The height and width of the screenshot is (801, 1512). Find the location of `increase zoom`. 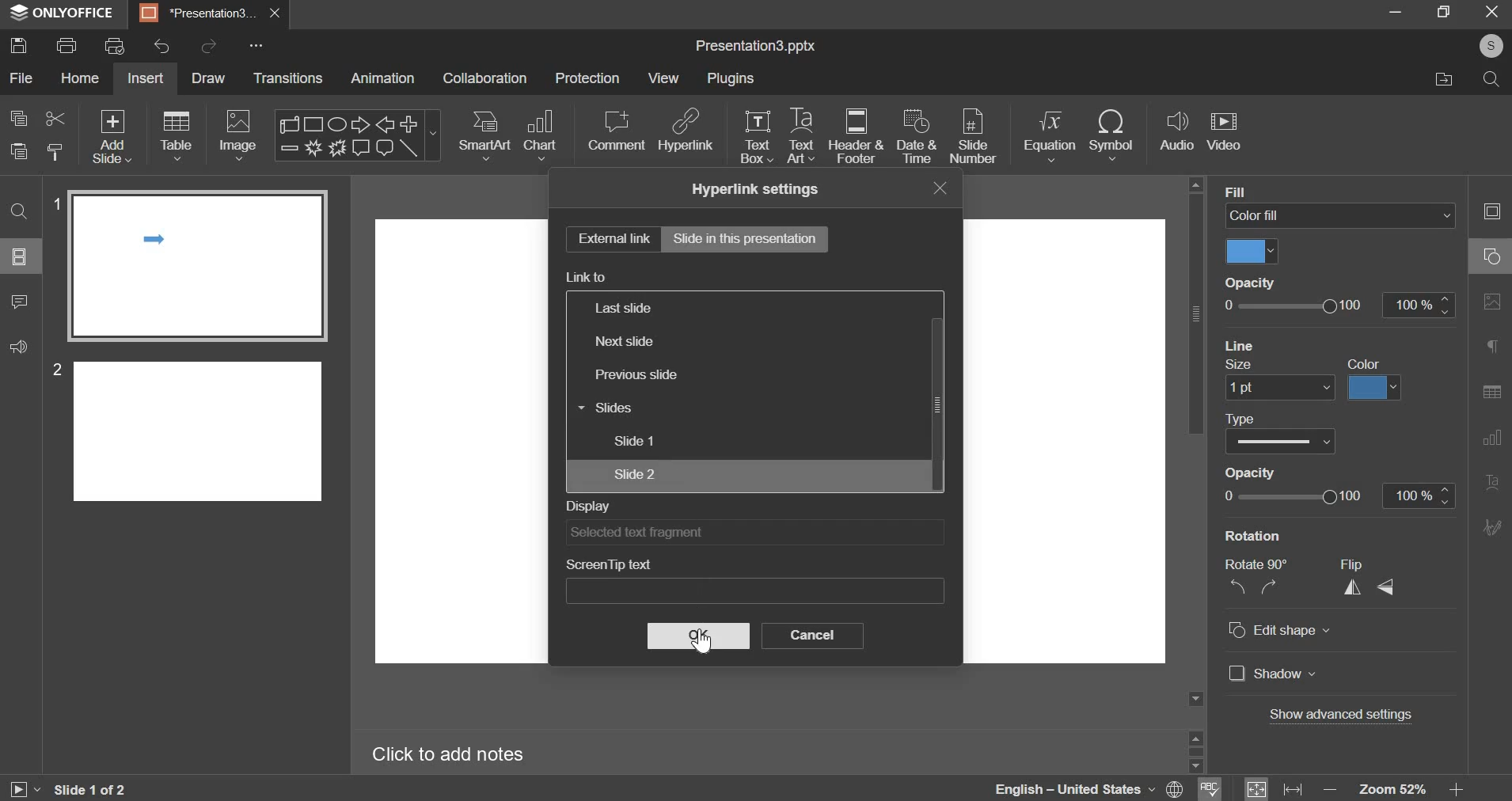

increase zoom is located at coordinates (1457, 790).